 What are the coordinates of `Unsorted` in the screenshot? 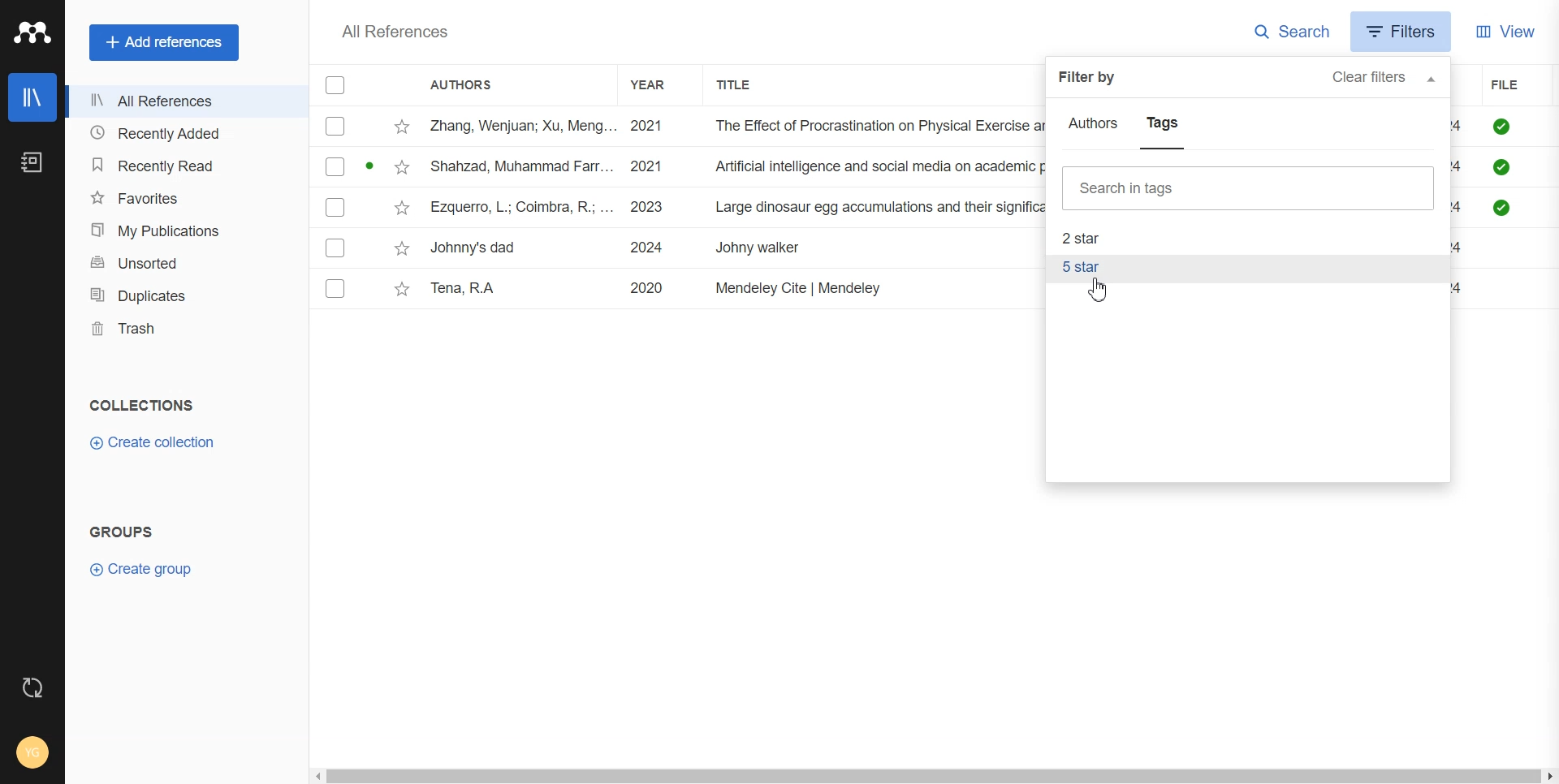 It's located at (184, 261).